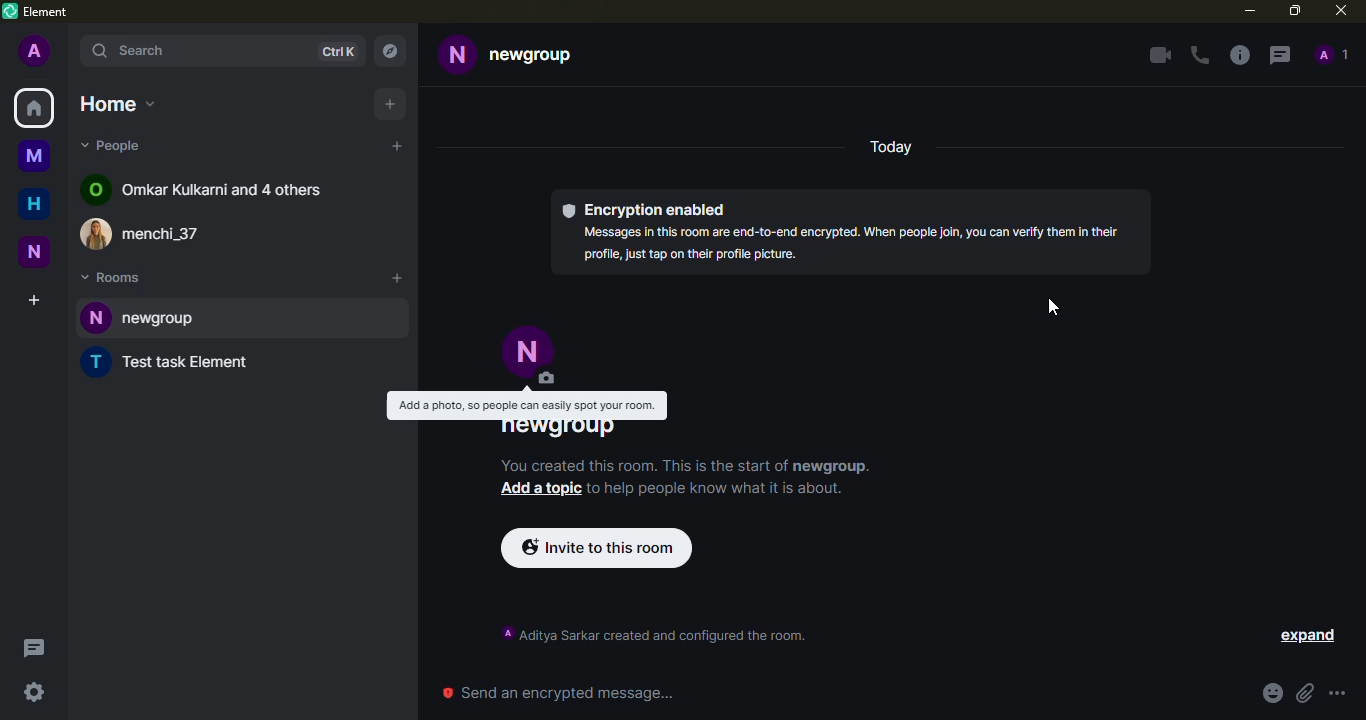 This screenshot has width=1366, height=720. Describe the element at coordinates (34, 300) in the screenshot. I see `create space` at that location.